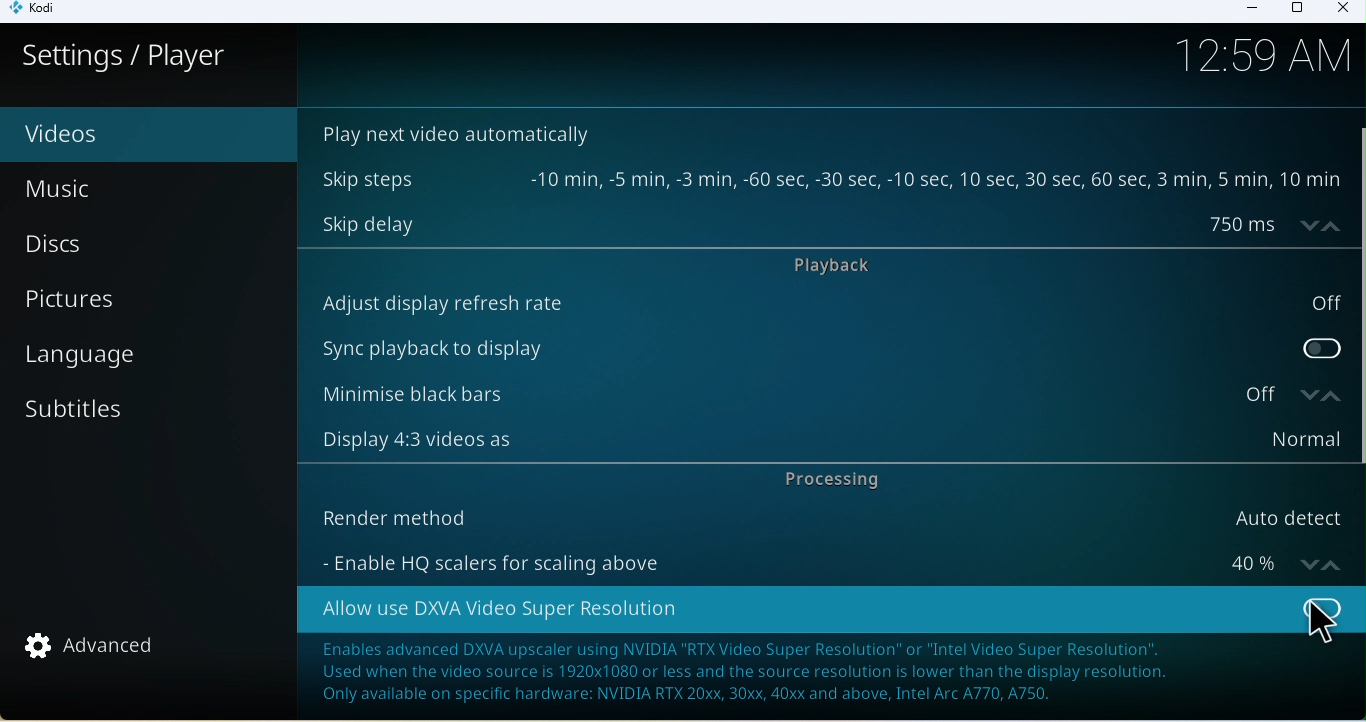 This screenshot has height=722, width=1366. What do you see at coordinates (1357, 294) in the screenshot?
I see `vertical scroll bar` at bounding box center [1357, 294].